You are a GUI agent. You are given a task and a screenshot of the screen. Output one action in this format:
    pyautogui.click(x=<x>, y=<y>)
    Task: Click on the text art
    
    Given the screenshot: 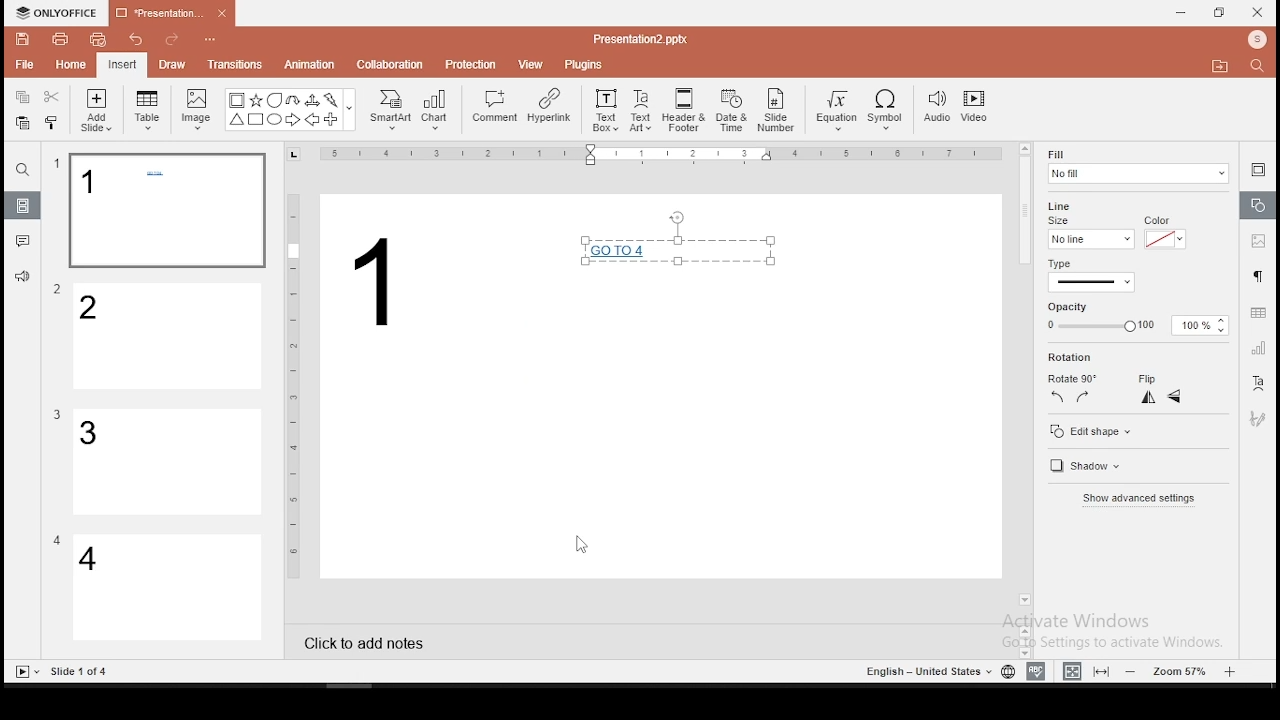 What is the action you would take?
    pyautogui.click(x=641, y=109)
    